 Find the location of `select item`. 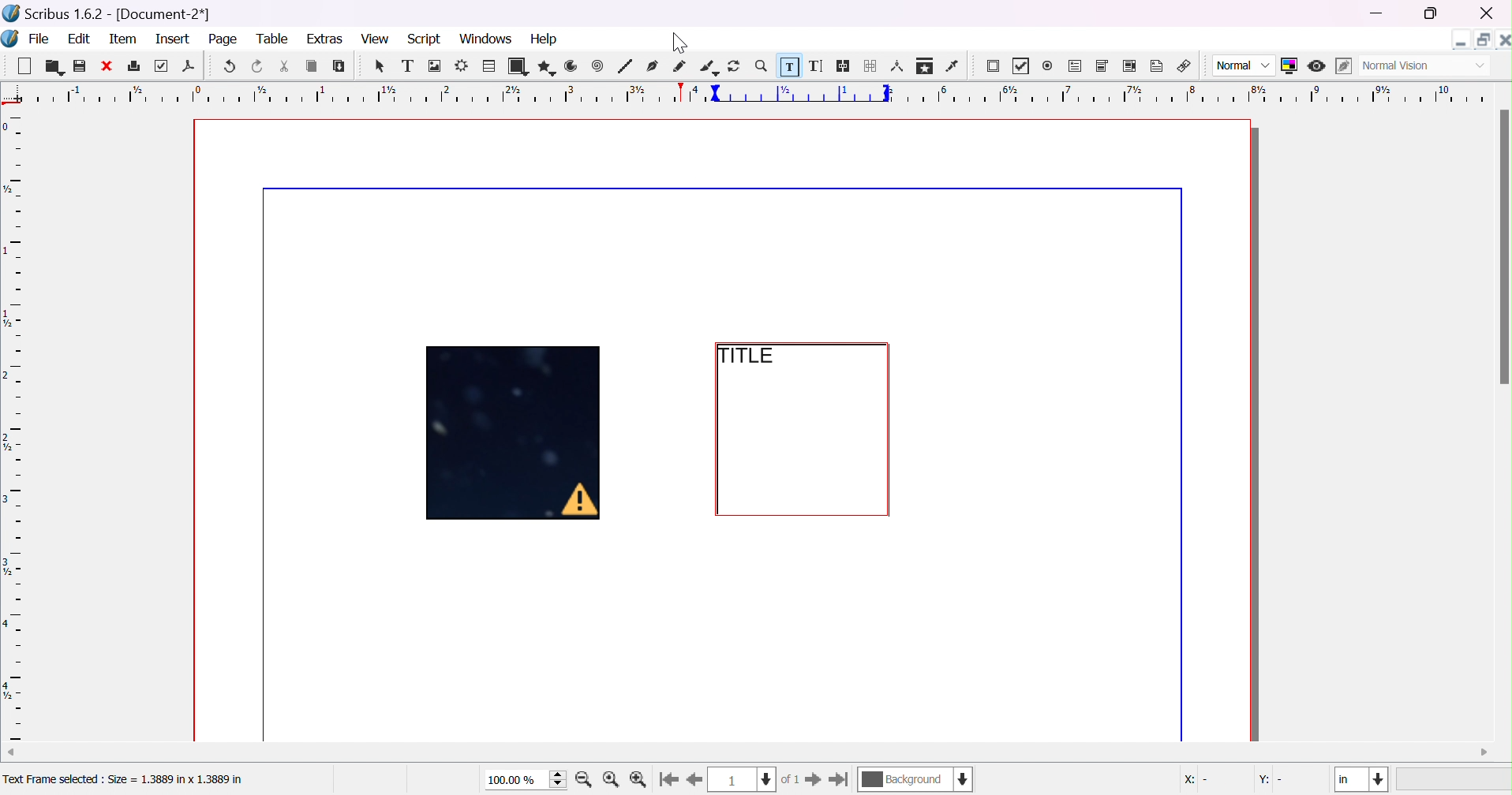

select item is located at coordinates (382, 68).